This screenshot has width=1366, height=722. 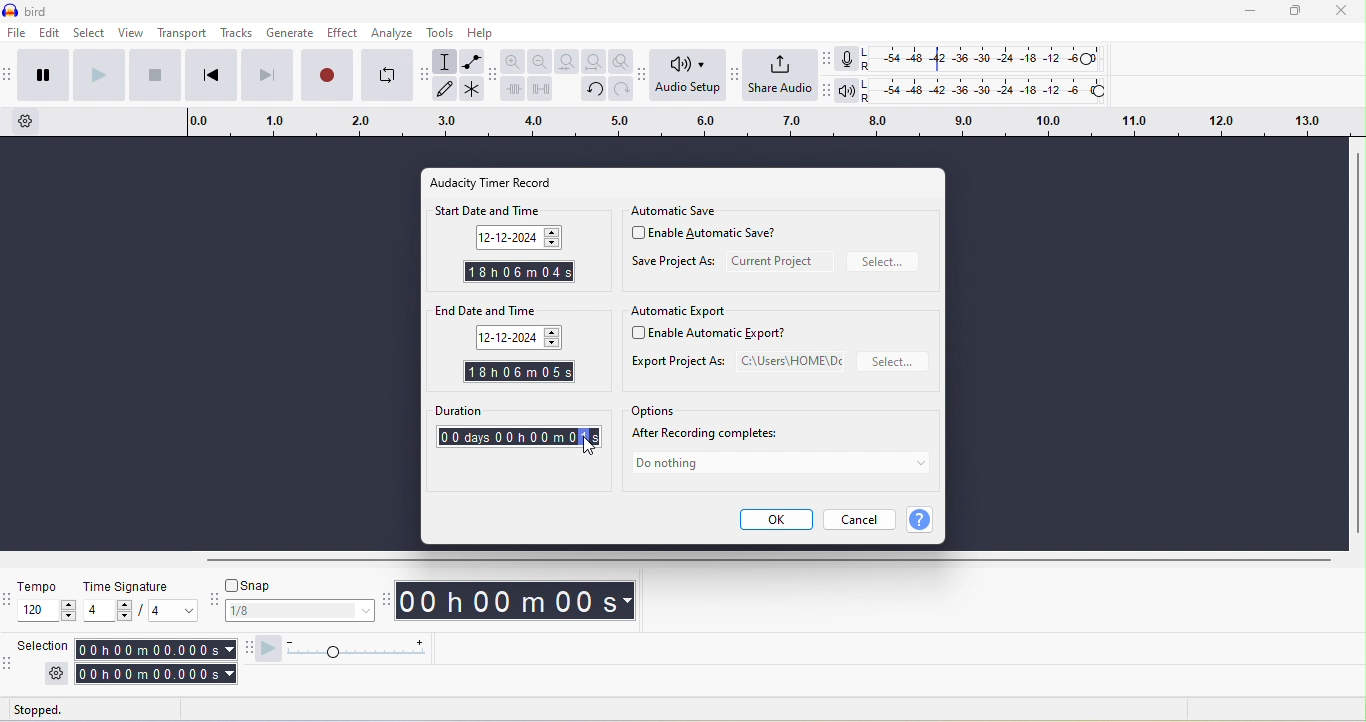 I want to click on fit project to width, so click(x=596, y=61).